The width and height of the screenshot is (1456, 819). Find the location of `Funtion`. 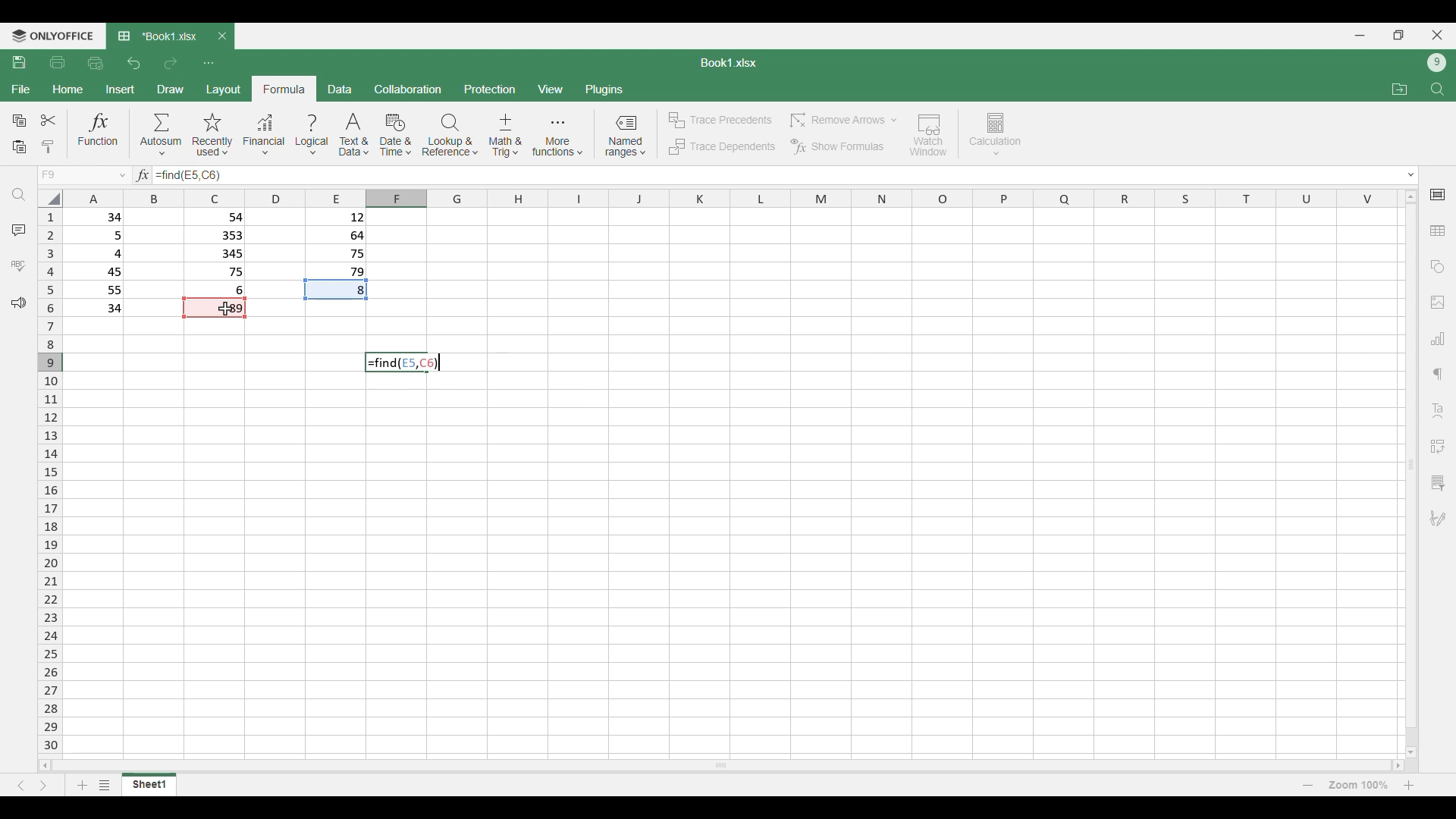

Funtion is located at coordinates (99, 133).